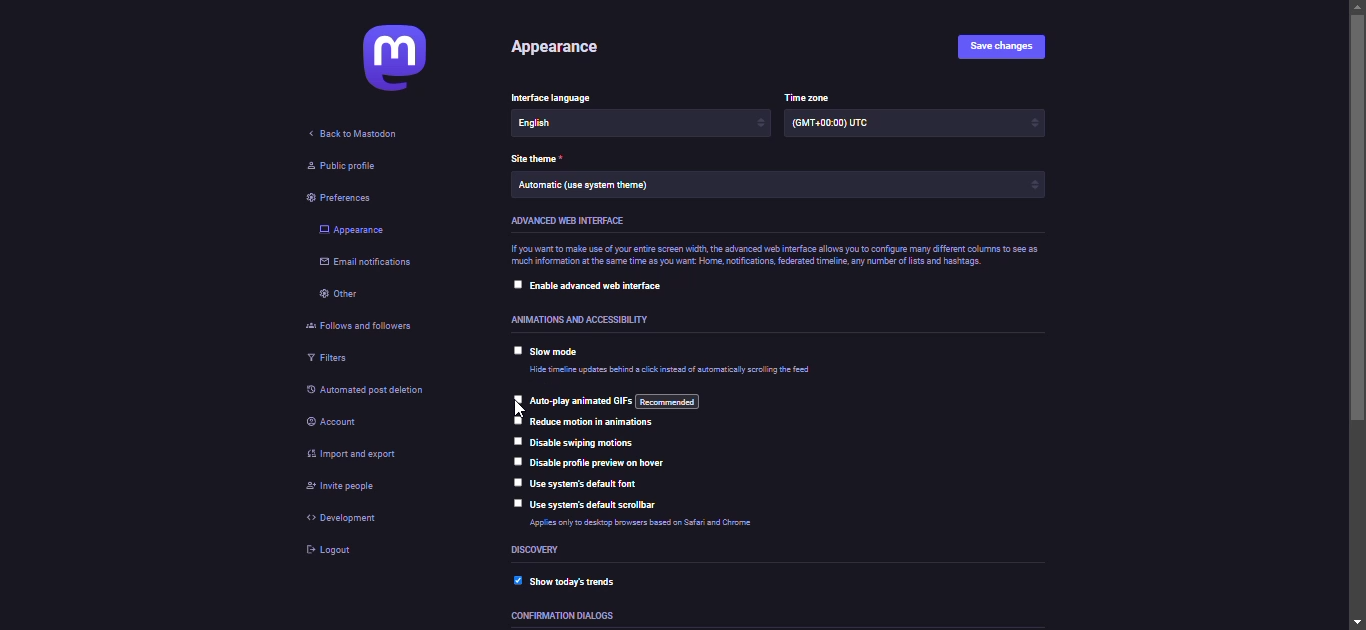 This screenshot has height=630, width=1366. I want to click on import & export, so click(366, 455).